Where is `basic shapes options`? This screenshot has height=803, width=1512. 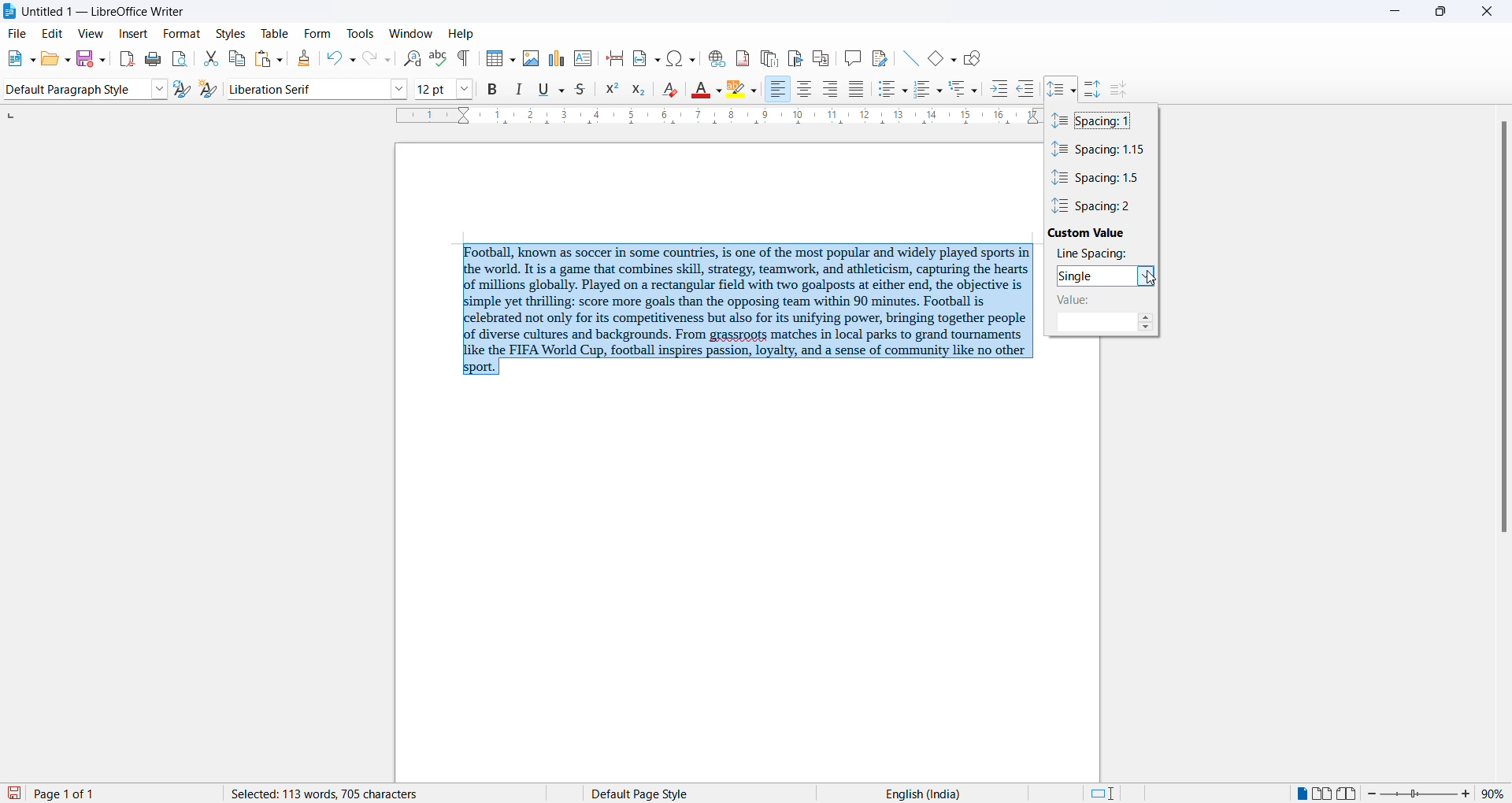 basic shapes options is located at coordinates (951, 60).